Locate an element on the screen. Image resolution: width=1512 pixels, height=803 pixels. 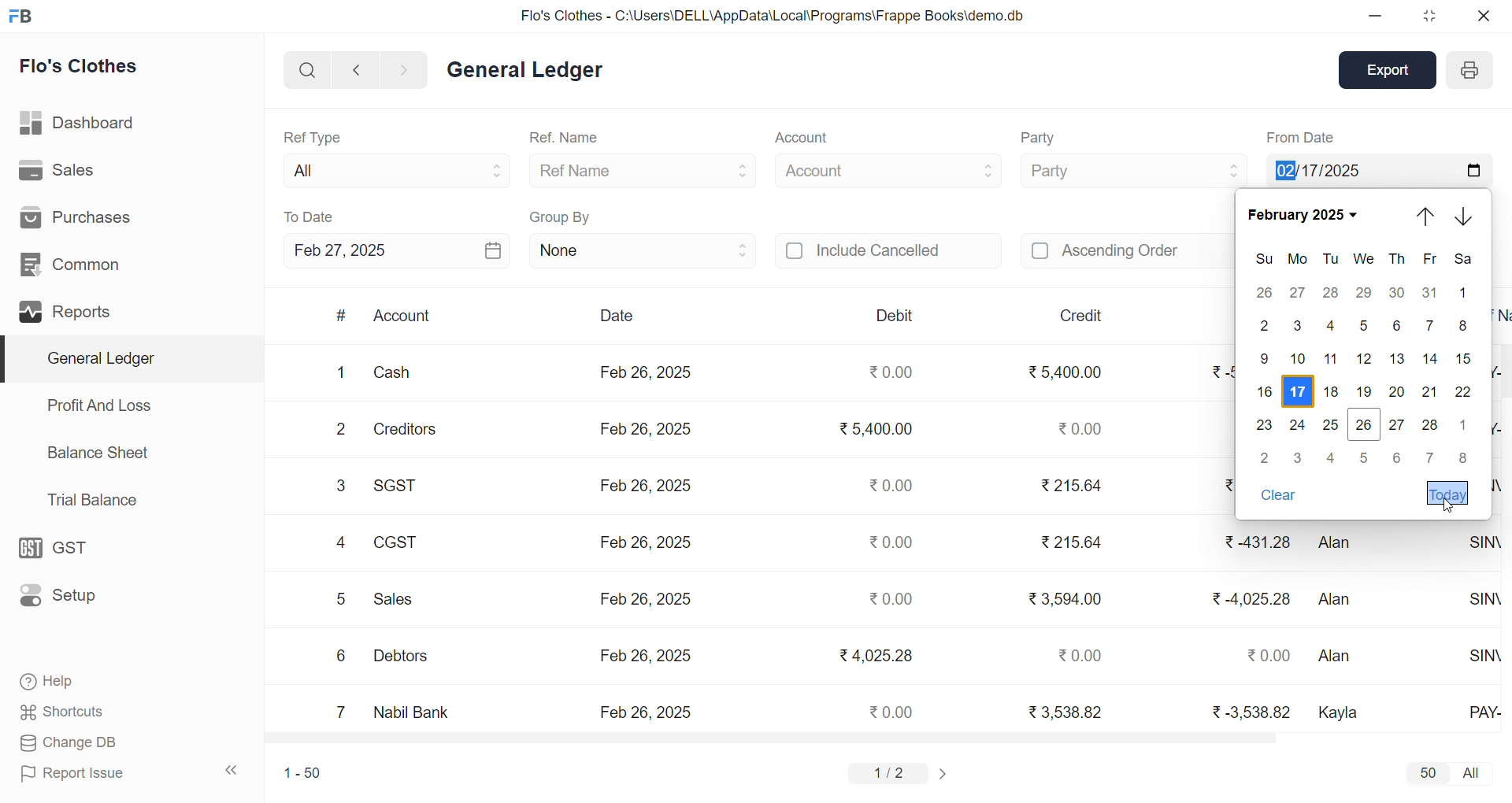
4 is located at coordinates (340, 542).